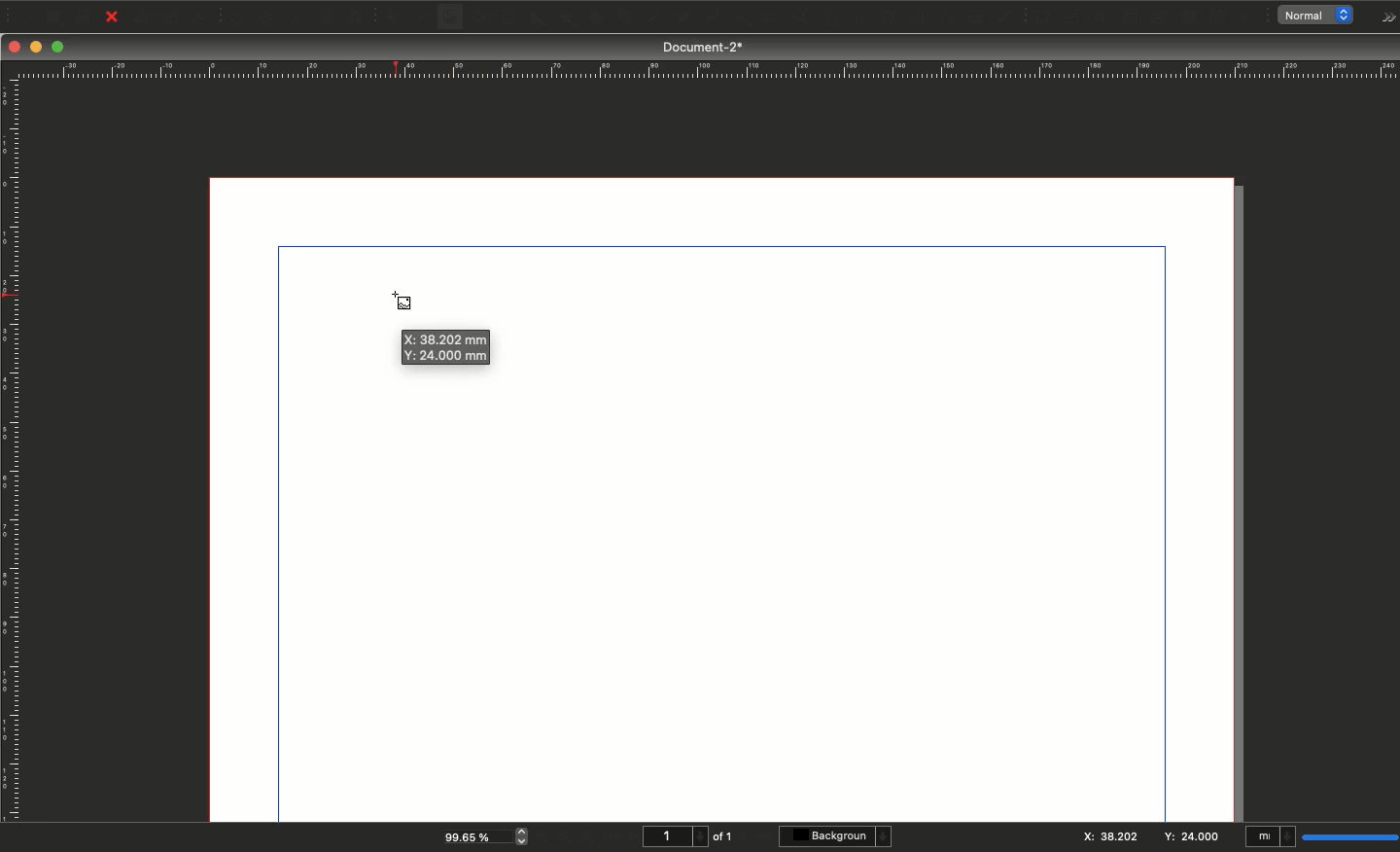 The width and height of the screenshot is (1400, 852). Describe the element at coordinates (1190, 837) in the screenshot. I see `Y: 24.000` at that location.